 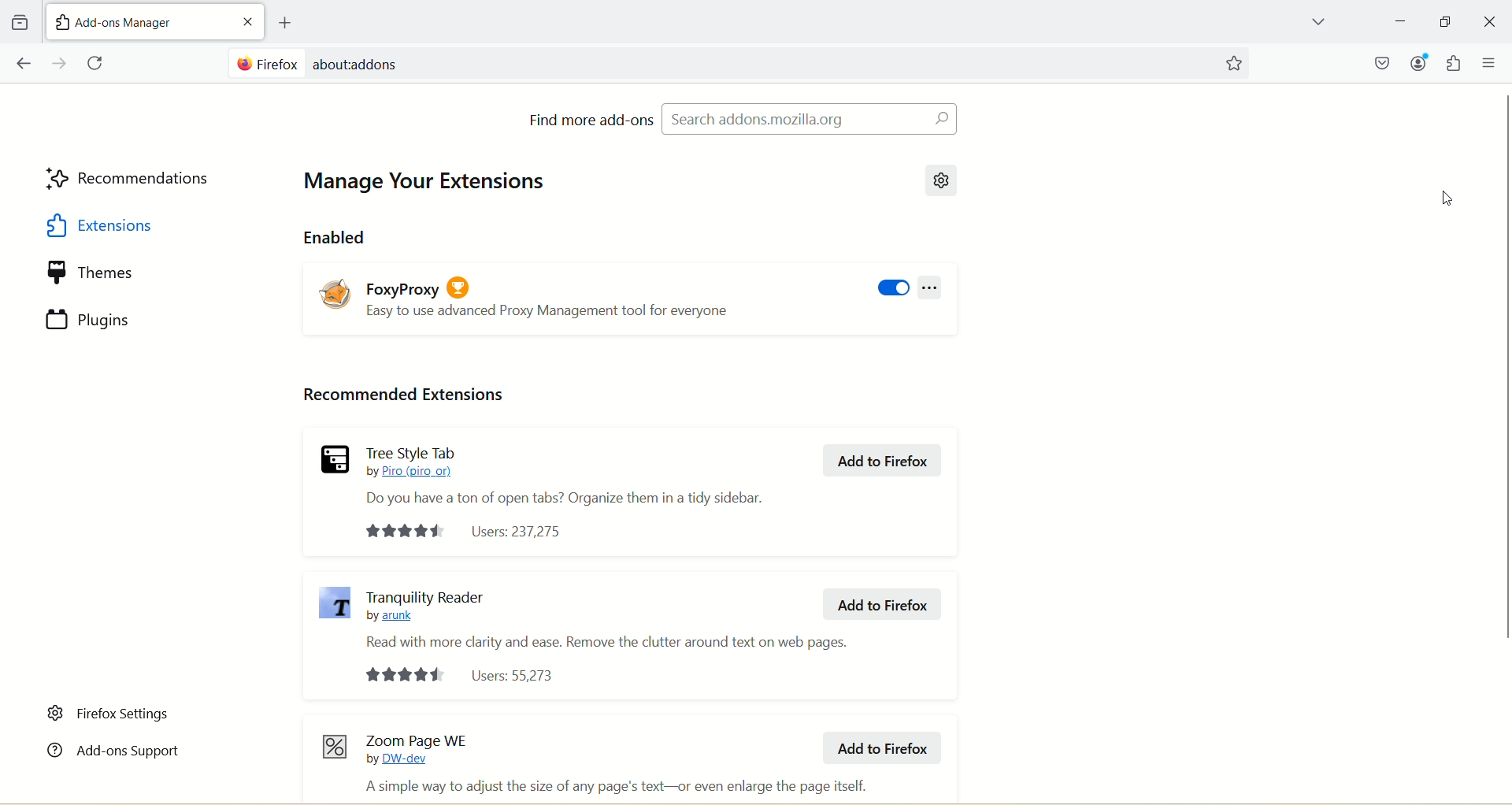 What do you see at coordinates (23, 63) in the screenshot?
I see `Move backward` at bounding box center [23, 63].